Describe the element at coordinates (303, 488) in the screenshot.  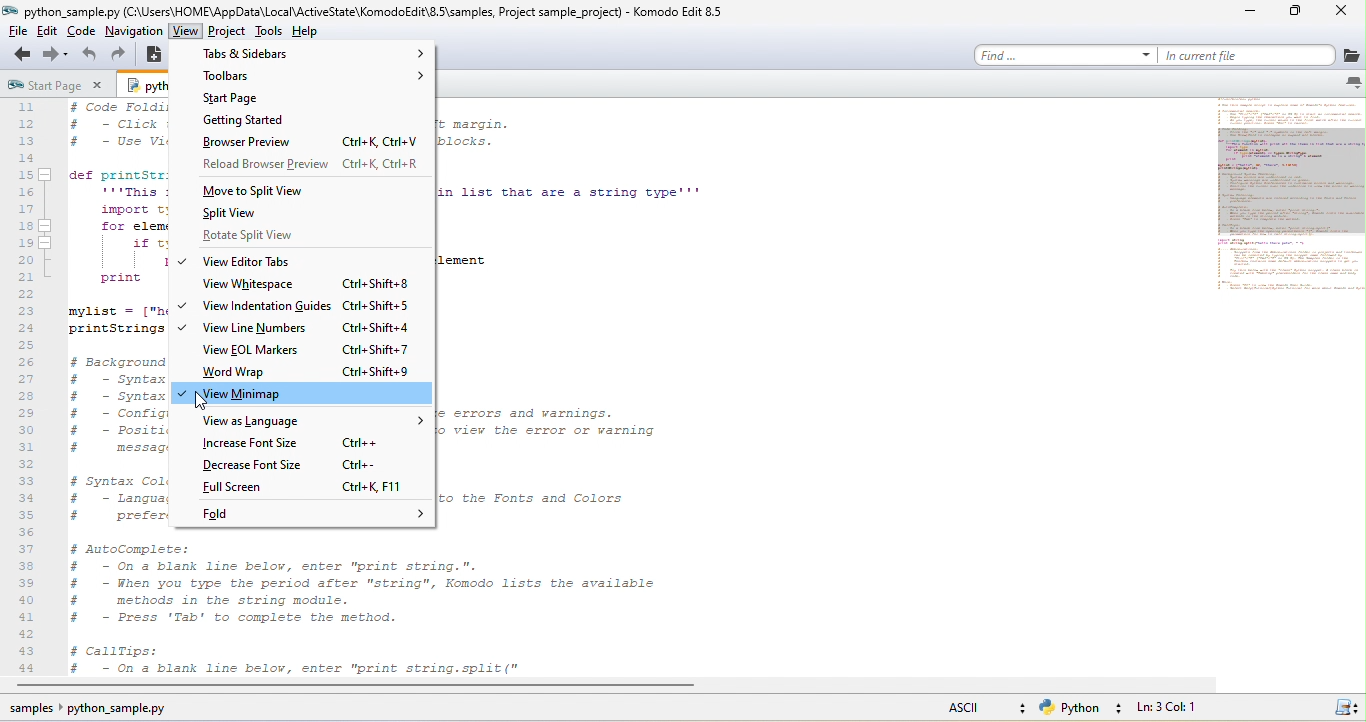
I see `full screen` at that location.